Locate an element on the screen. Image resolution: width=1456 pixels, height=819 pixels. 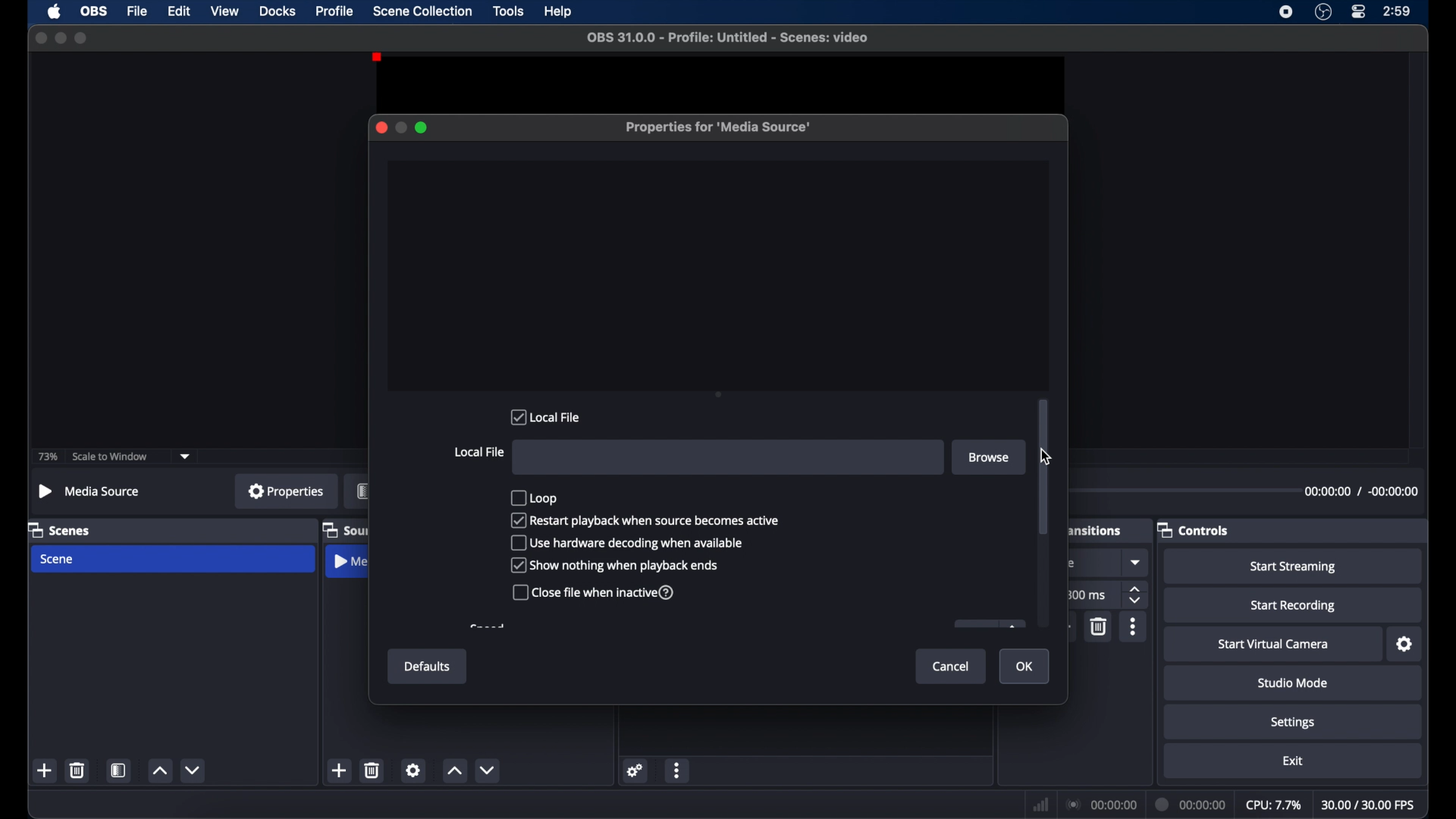
delete is located at coordinates (77, 770).